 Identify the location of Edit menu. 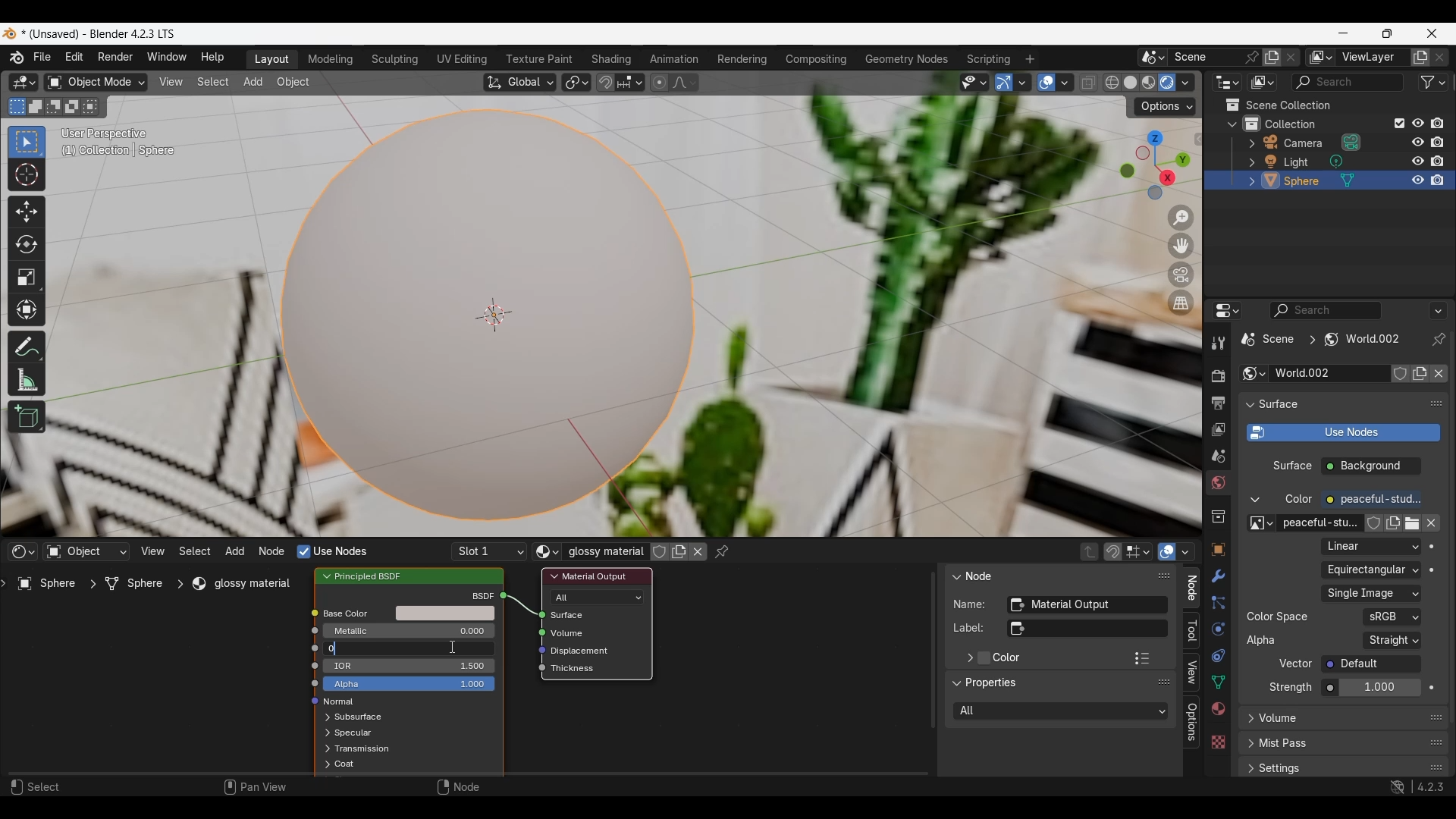
(74, 58).